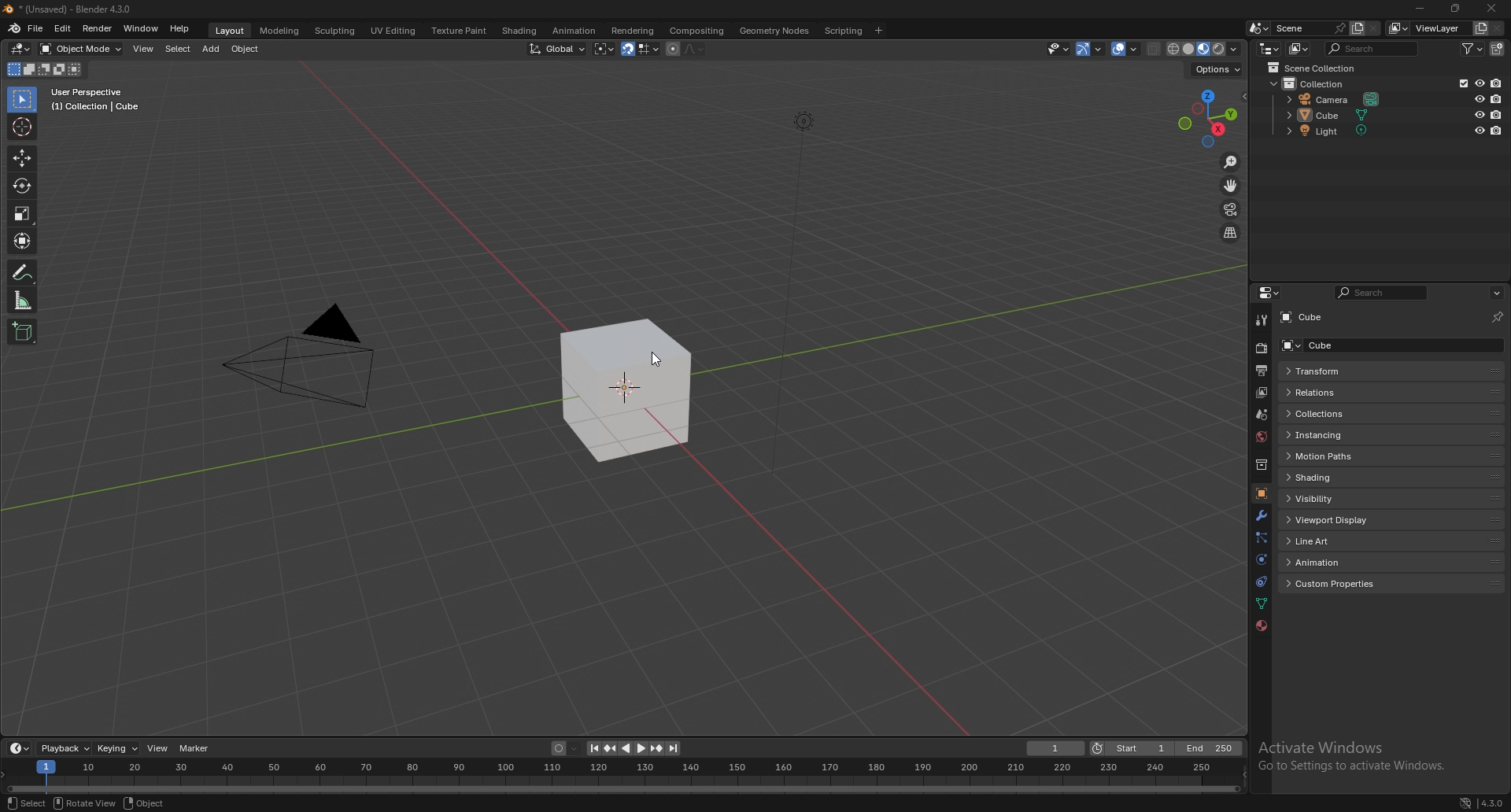 The height and width of the screenshot is (812, 1511). Describe the element at coordinates (657, 748) in the screenshot. I see `jump to keyframe` at that location.